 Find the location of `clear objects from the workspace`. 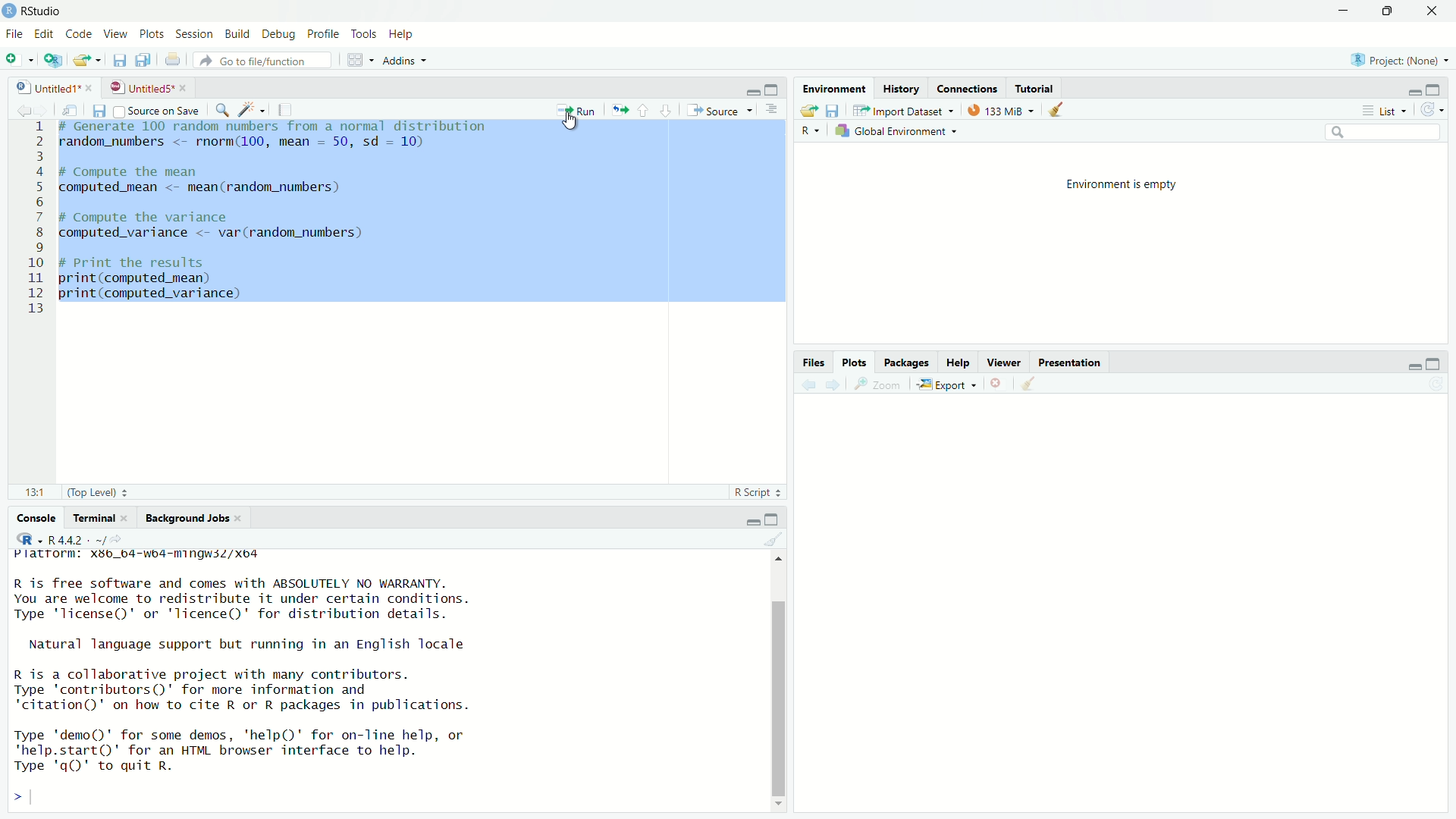

clear objects from the workspace is located at coordinates (1062, 111).